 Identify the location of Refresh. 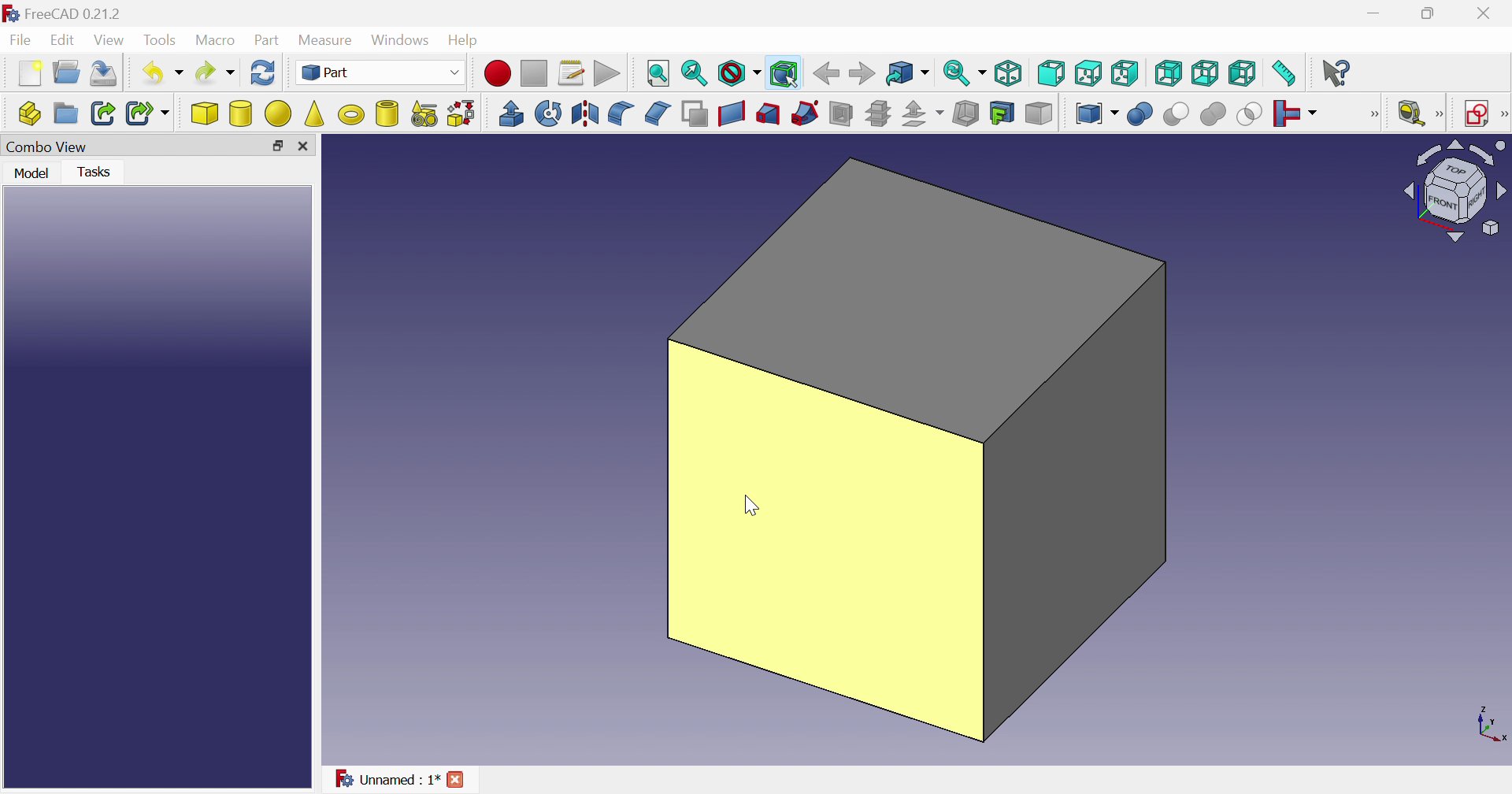
(263, 76).